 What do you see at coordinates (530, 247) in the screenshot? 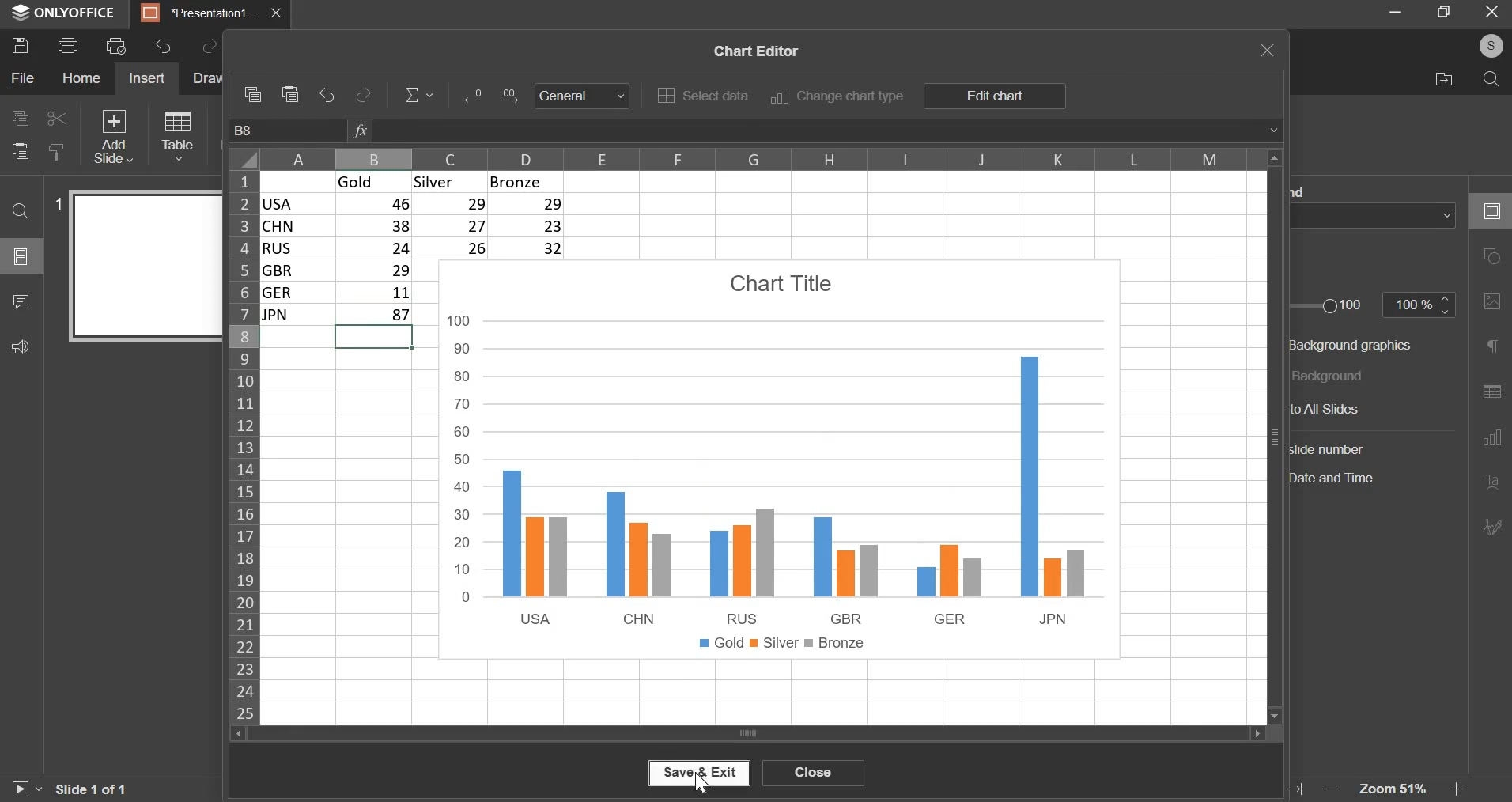
I see `32` at bounding box center [530, 247].